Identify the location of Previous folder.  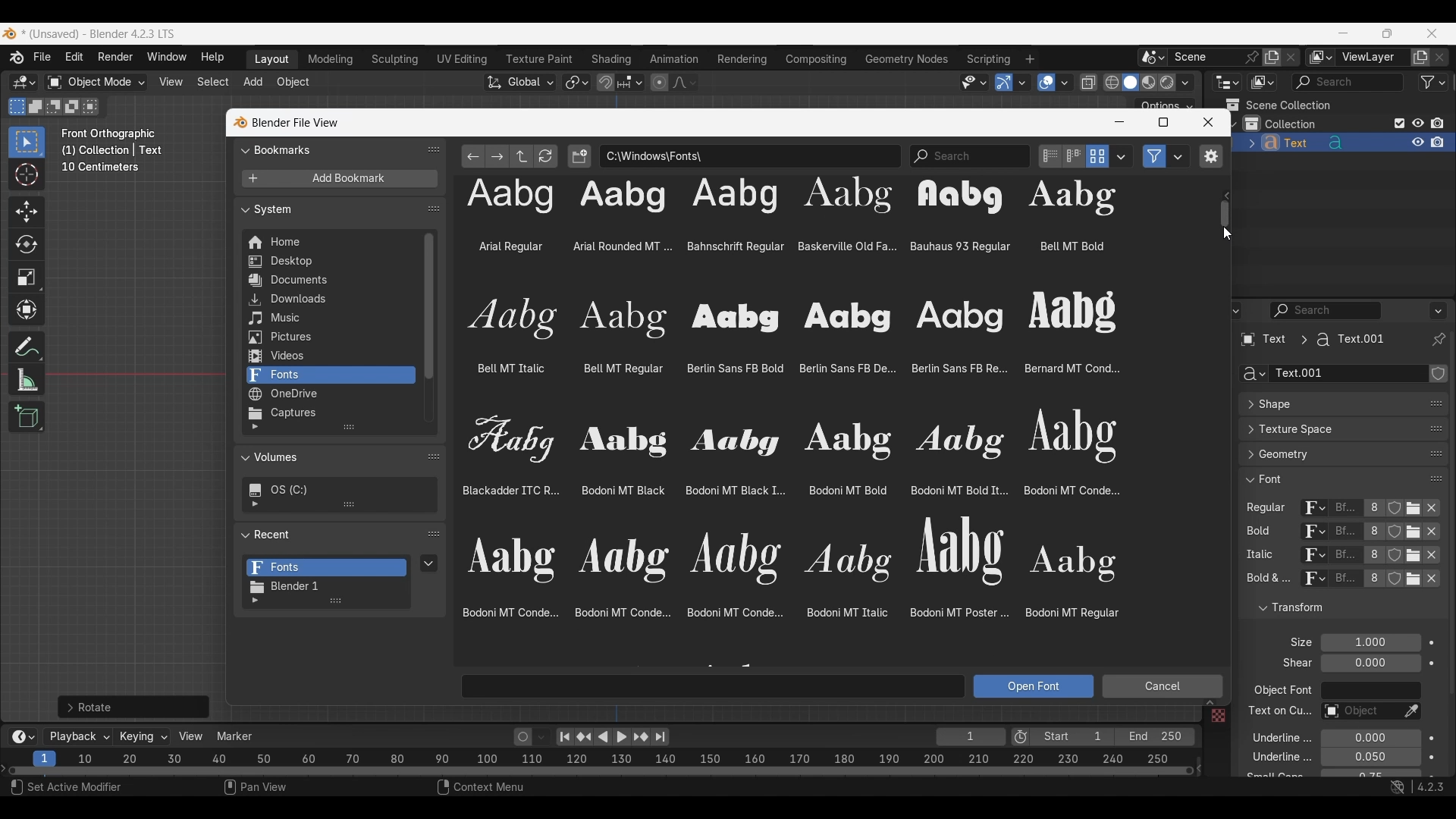
(474, 156).